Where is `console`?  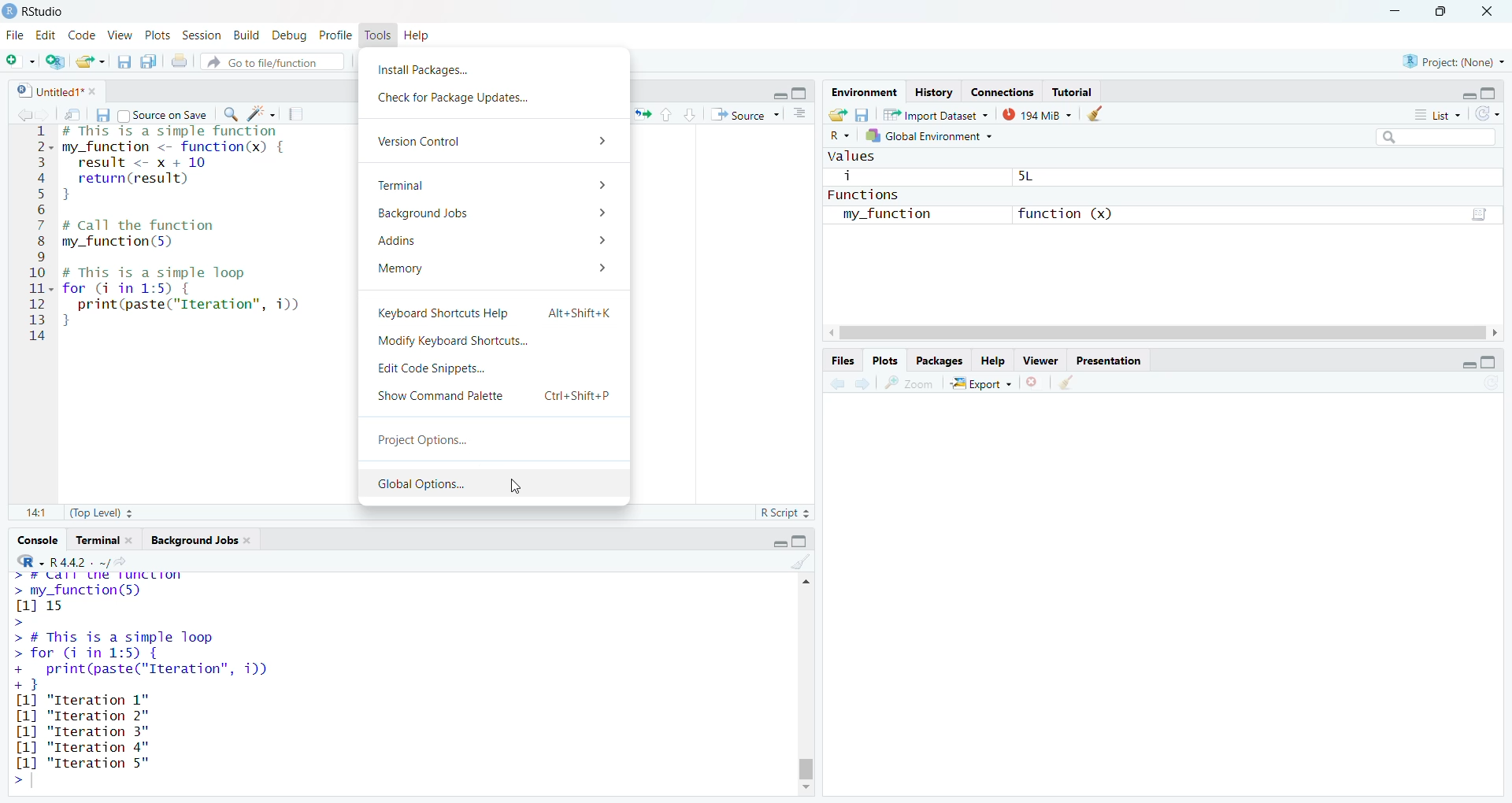
console is located at coordinates (35, 540).